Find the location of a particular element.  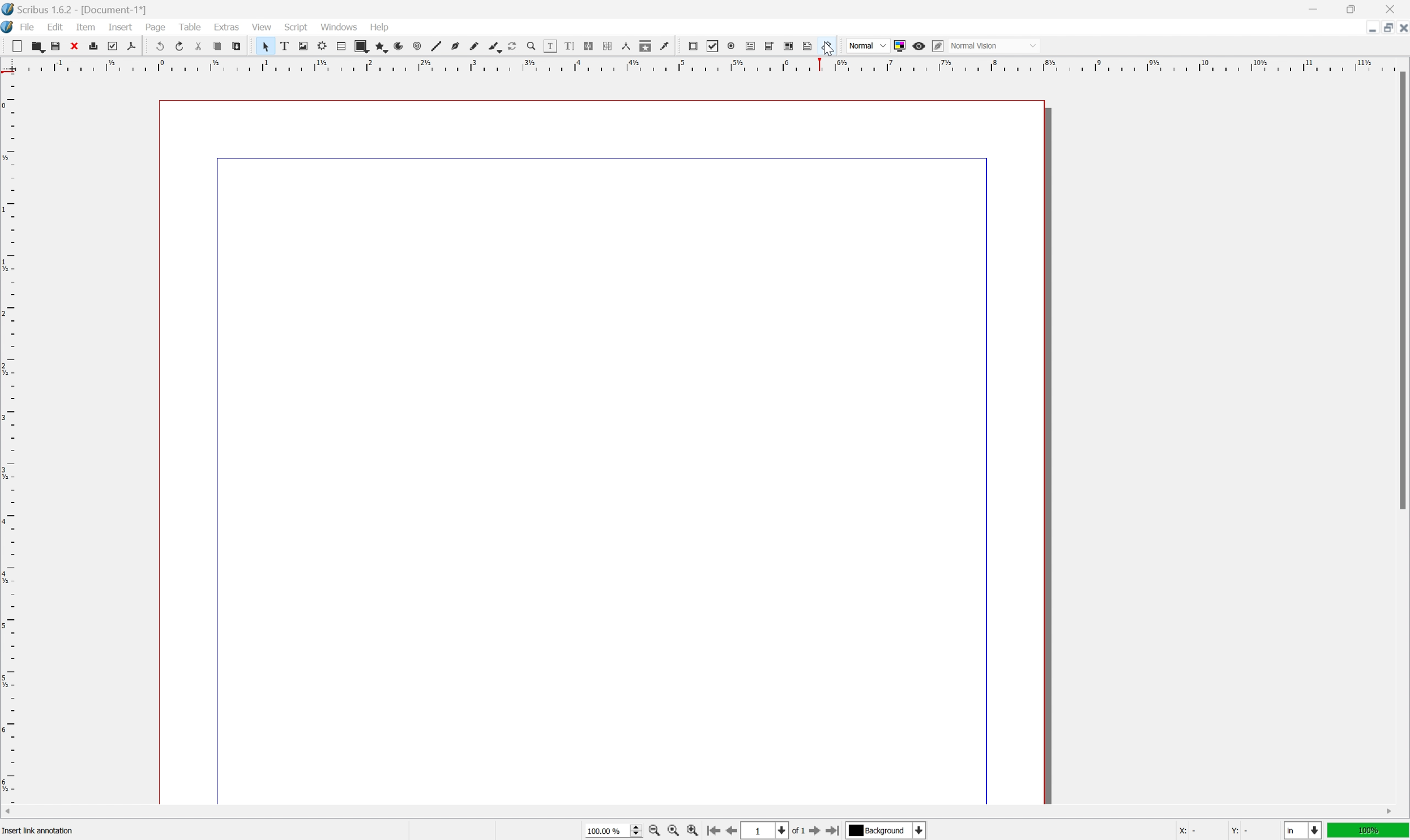

pdf text field is located at coordinates (750, 46).